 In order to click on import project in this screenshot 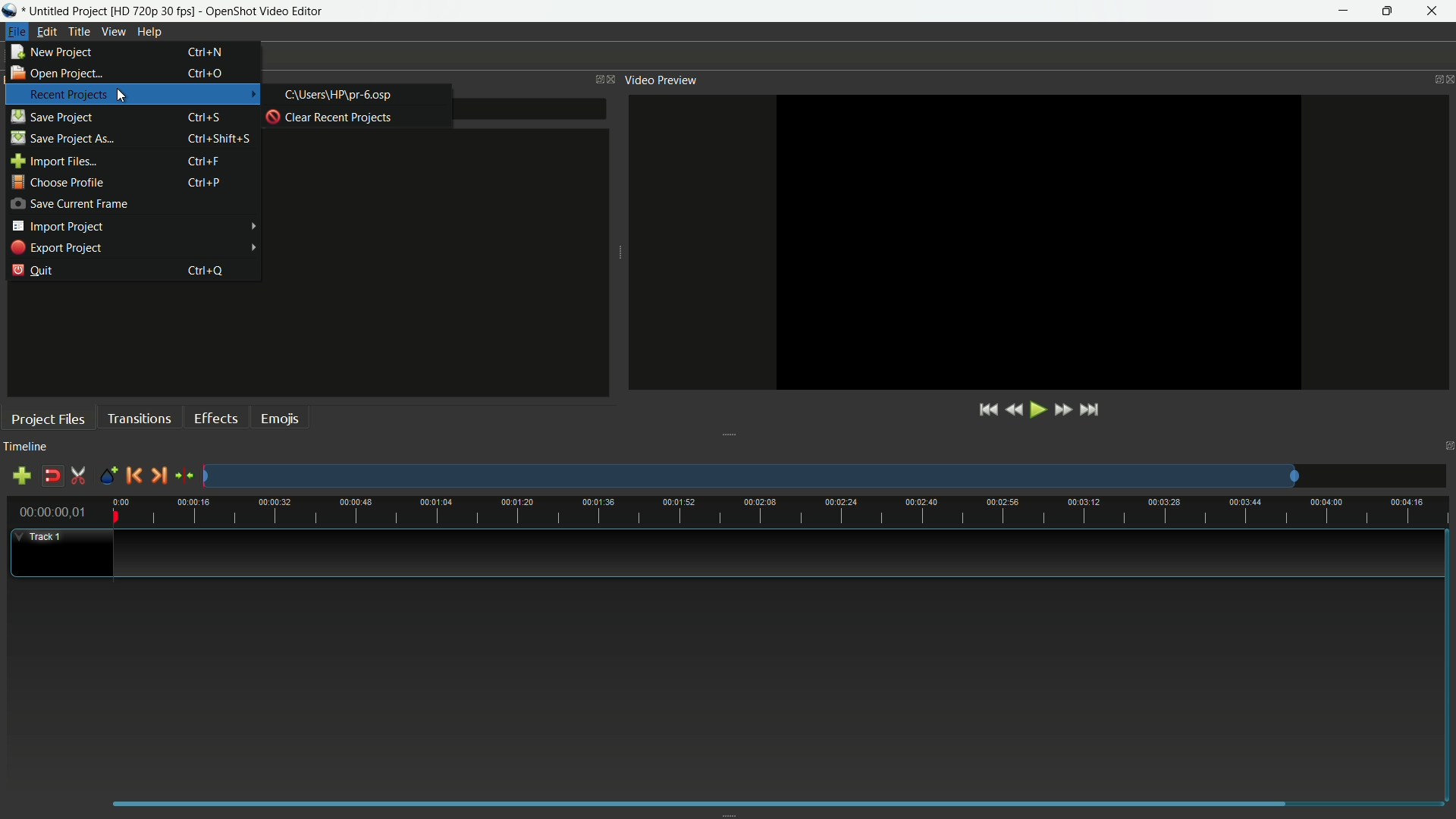, I will do `click(58, 226)`.